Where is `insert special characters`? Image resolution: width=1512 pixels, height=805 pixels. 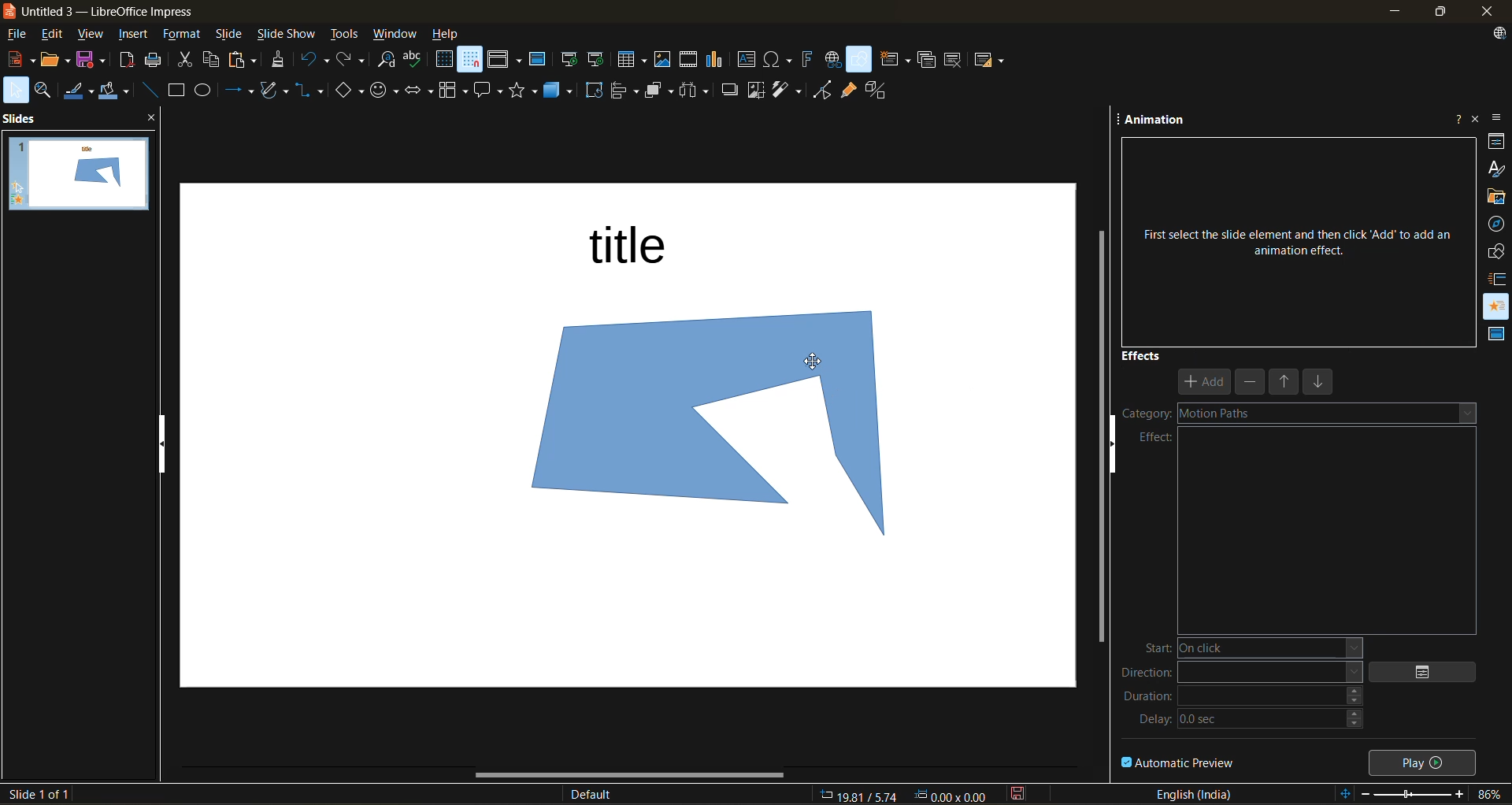
insert special characters is located at coordinates (779, 61).